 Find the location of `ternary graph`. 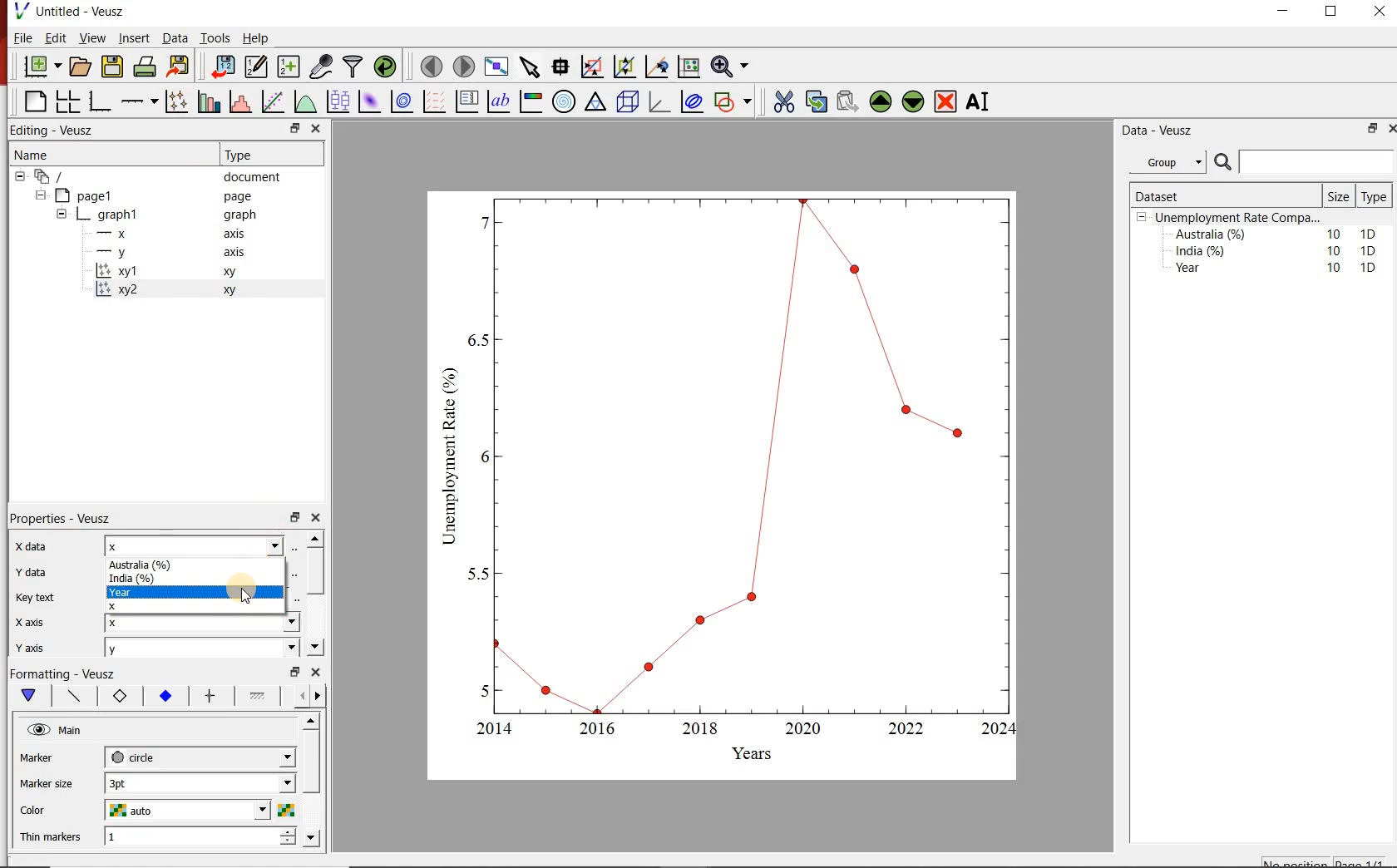

ternary graph is located at coordinates (595, 101).